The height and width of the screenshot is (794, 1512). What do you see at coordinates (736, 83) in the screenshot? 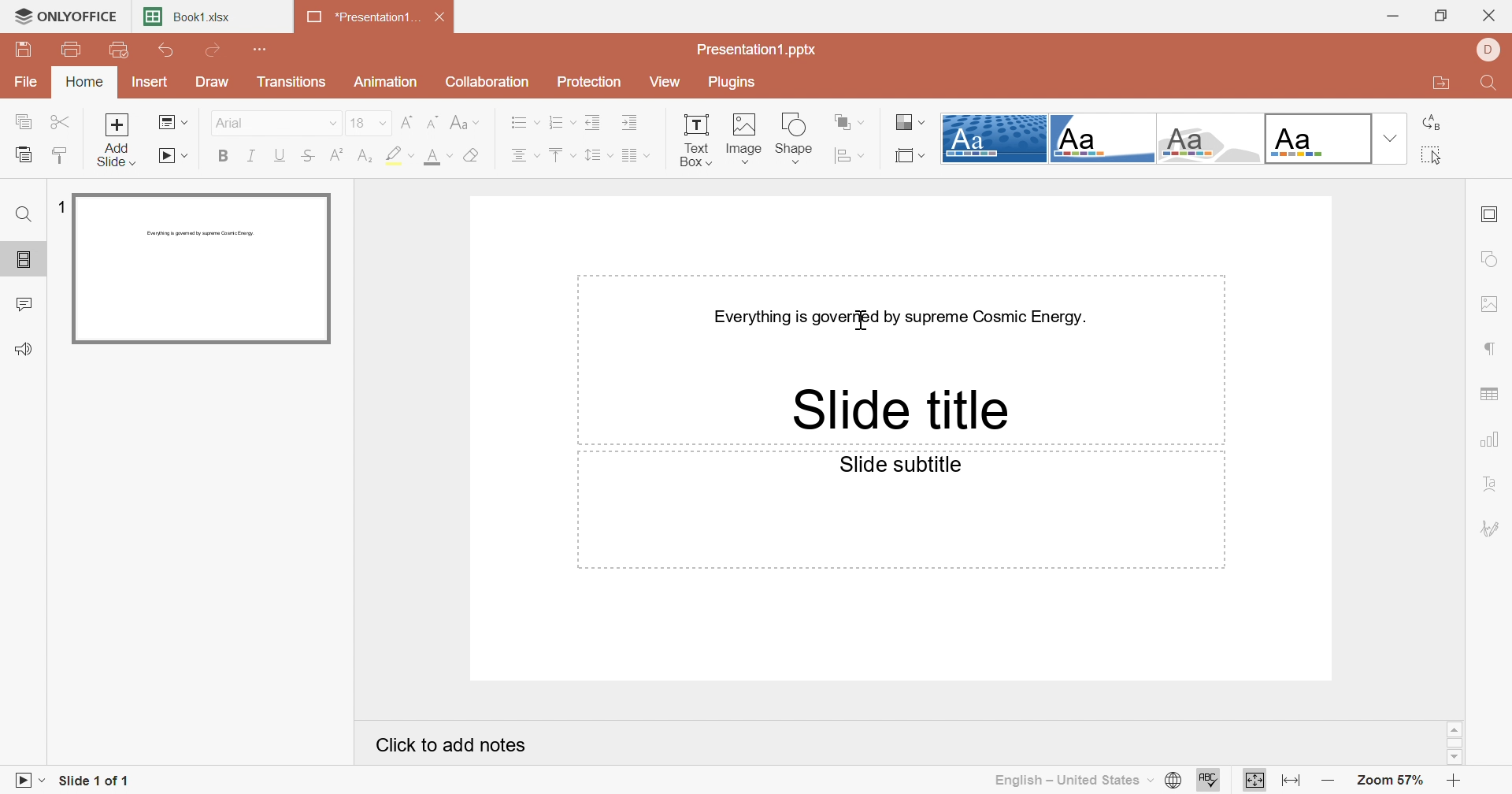
I see `Plugins` at bounding box center [736, 83].